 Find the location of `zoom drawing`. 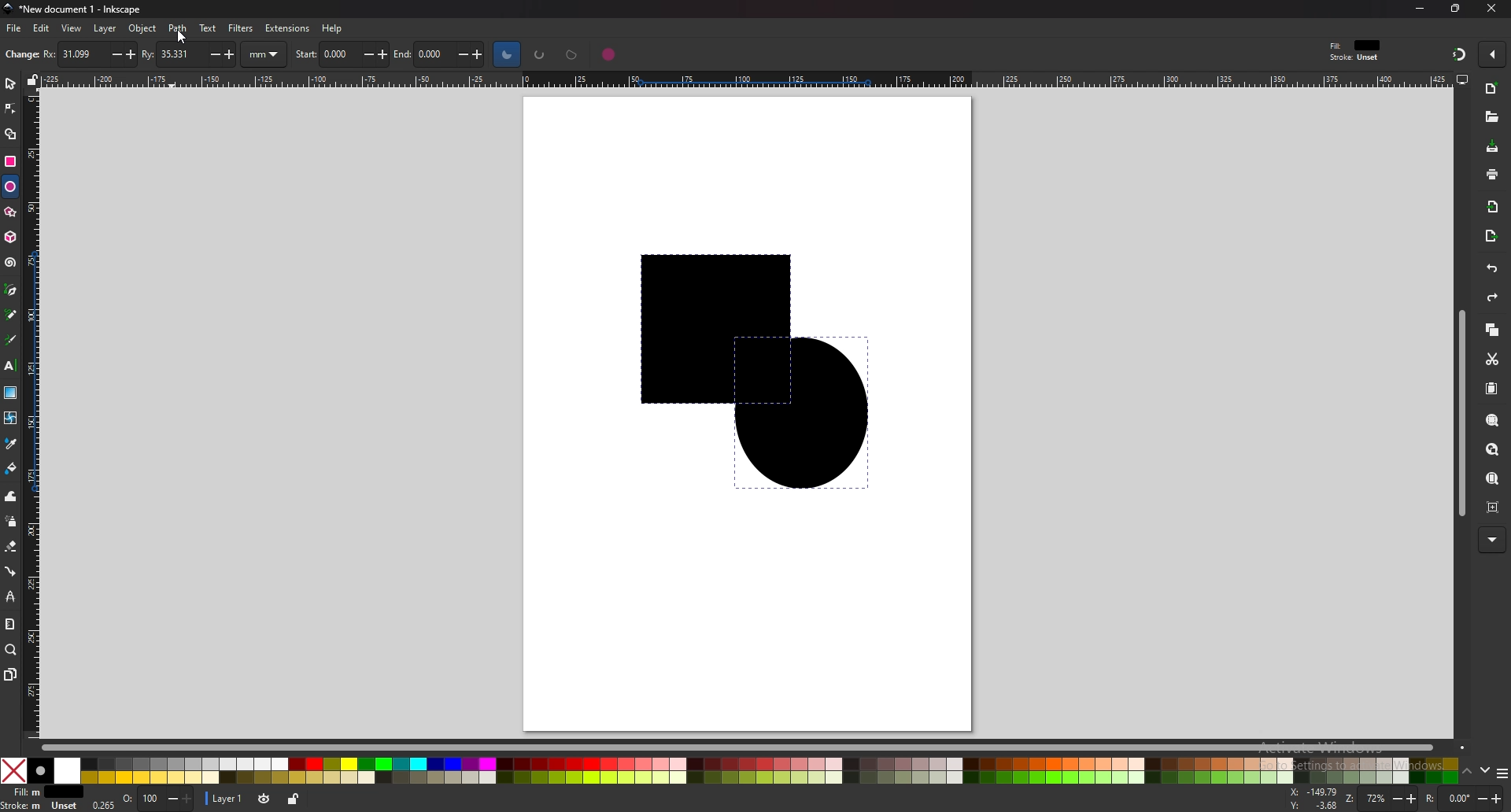

zoom drawing is located at coordinates (1494, 448).